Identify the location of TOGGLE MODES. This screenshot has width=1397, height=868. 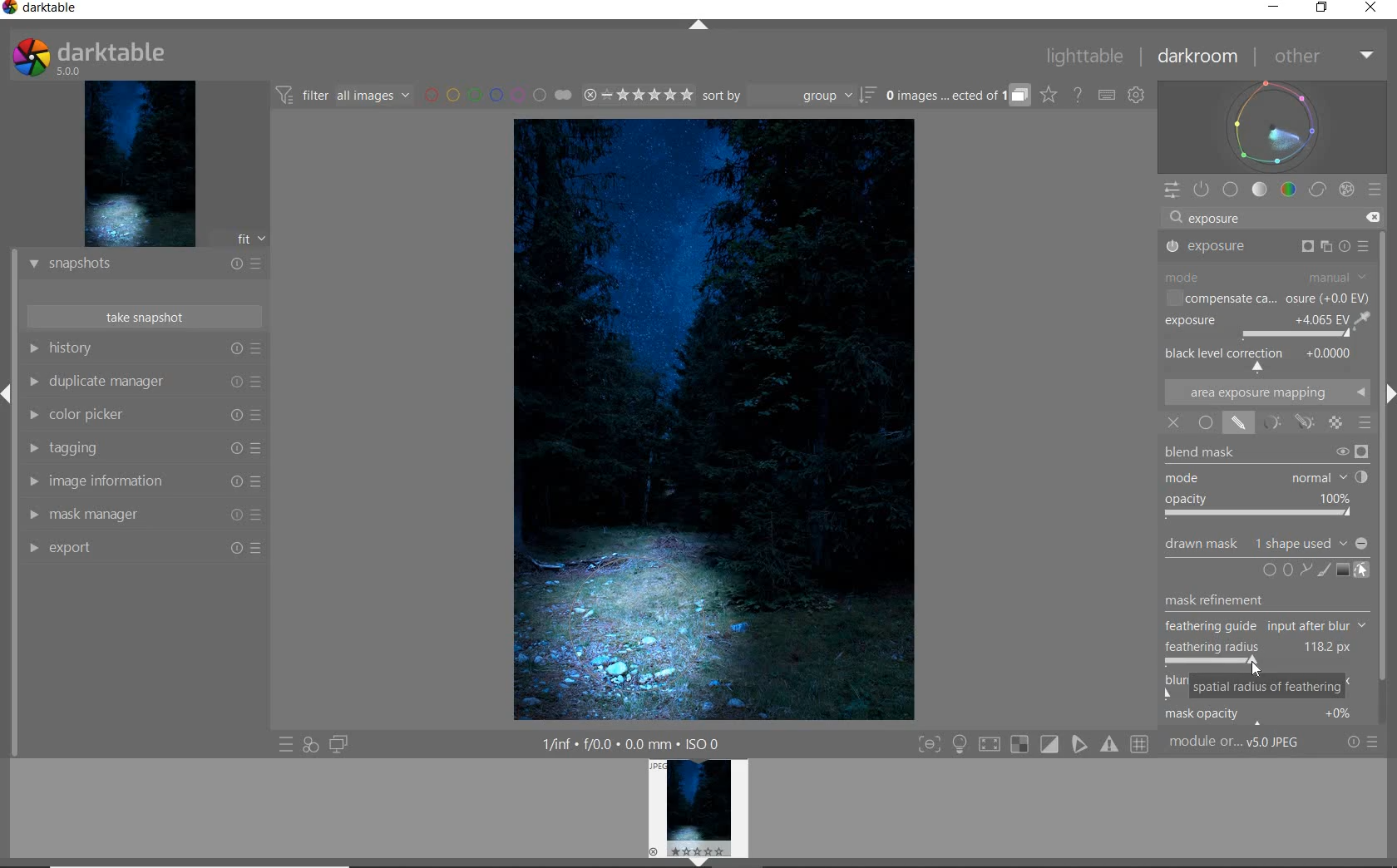
(1033, 744).